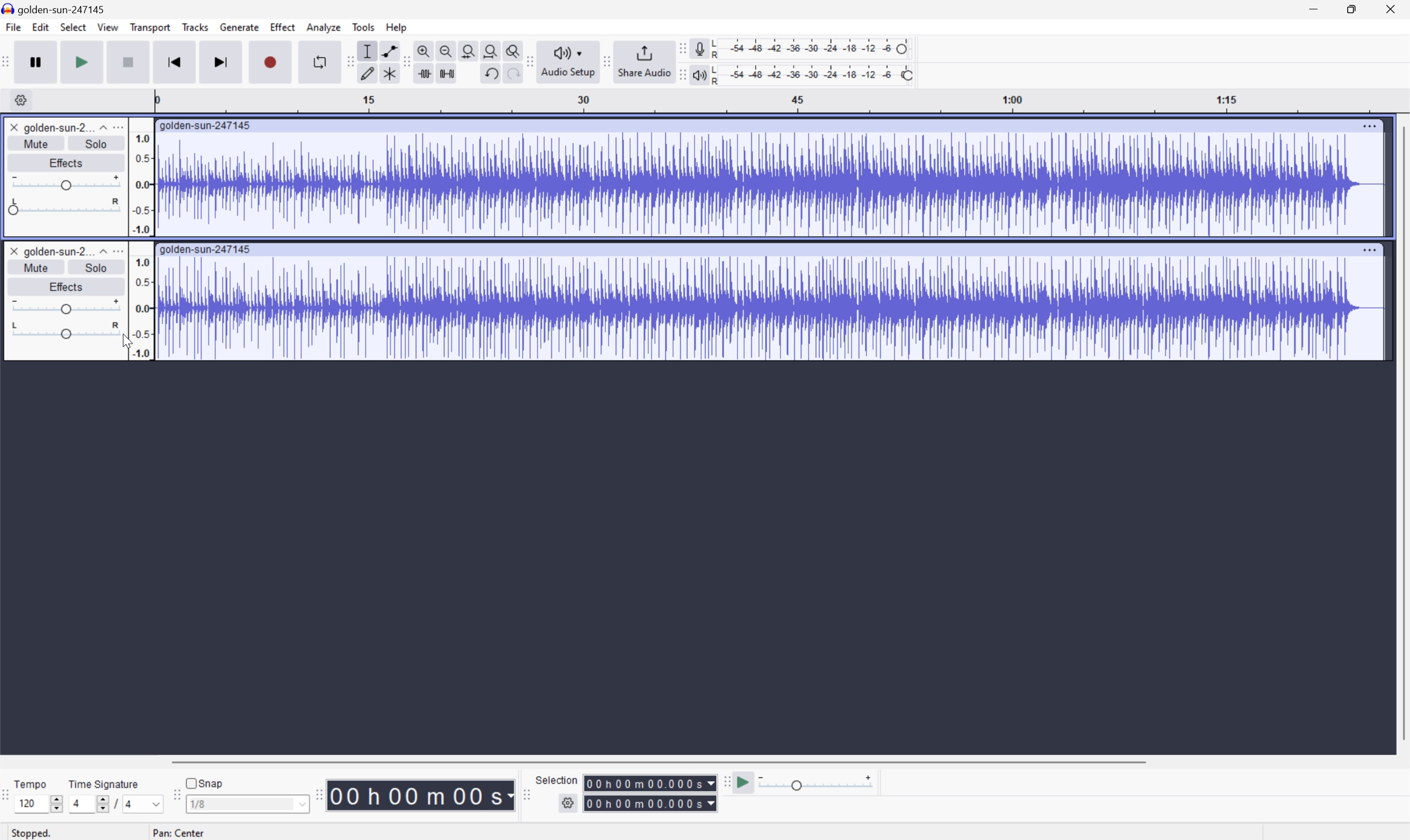 Image resolution: width=1410 pixels, height=840 pixels. What do you see at coordinates (101, 127) in the screenshot?
I see `Drop Down` at bounding box center [101, 127].